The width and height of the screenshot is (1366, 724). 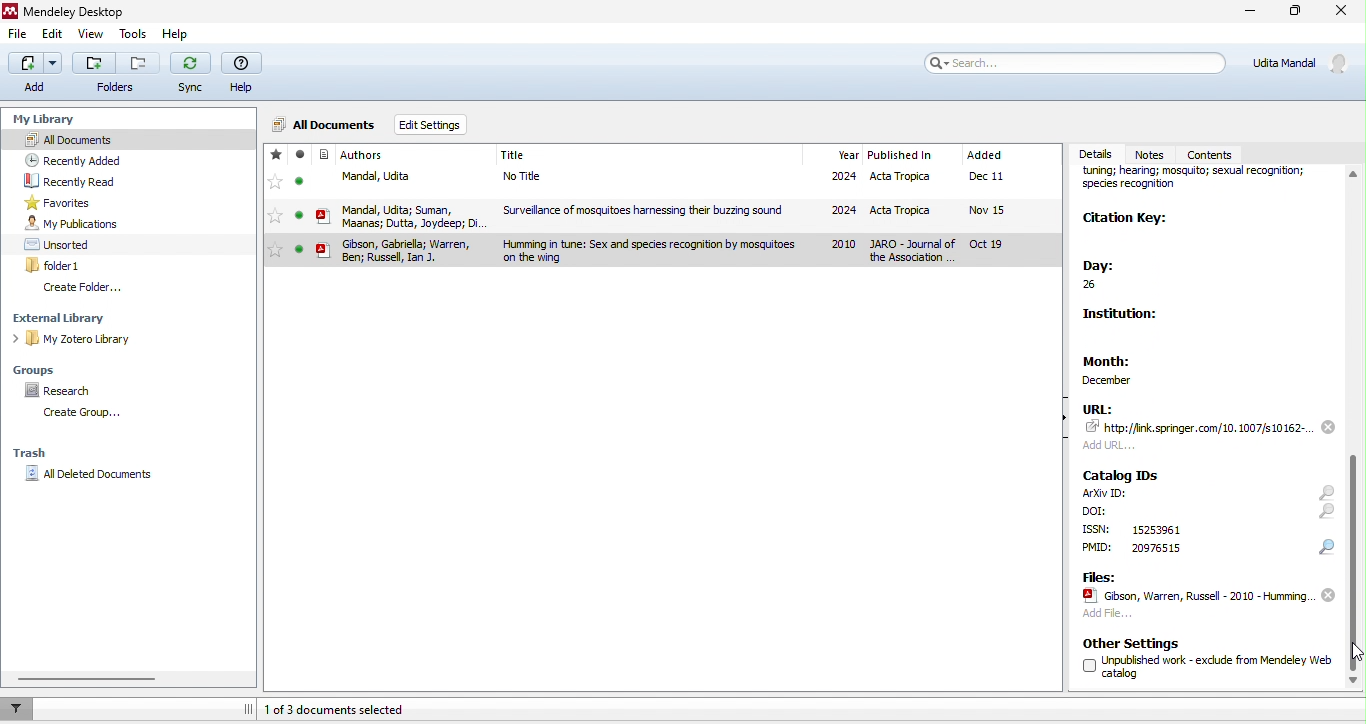 What do you see at coordinates (1127, 220) in the screenshot?
I see `citation key` at bounding box center [1127, 220].